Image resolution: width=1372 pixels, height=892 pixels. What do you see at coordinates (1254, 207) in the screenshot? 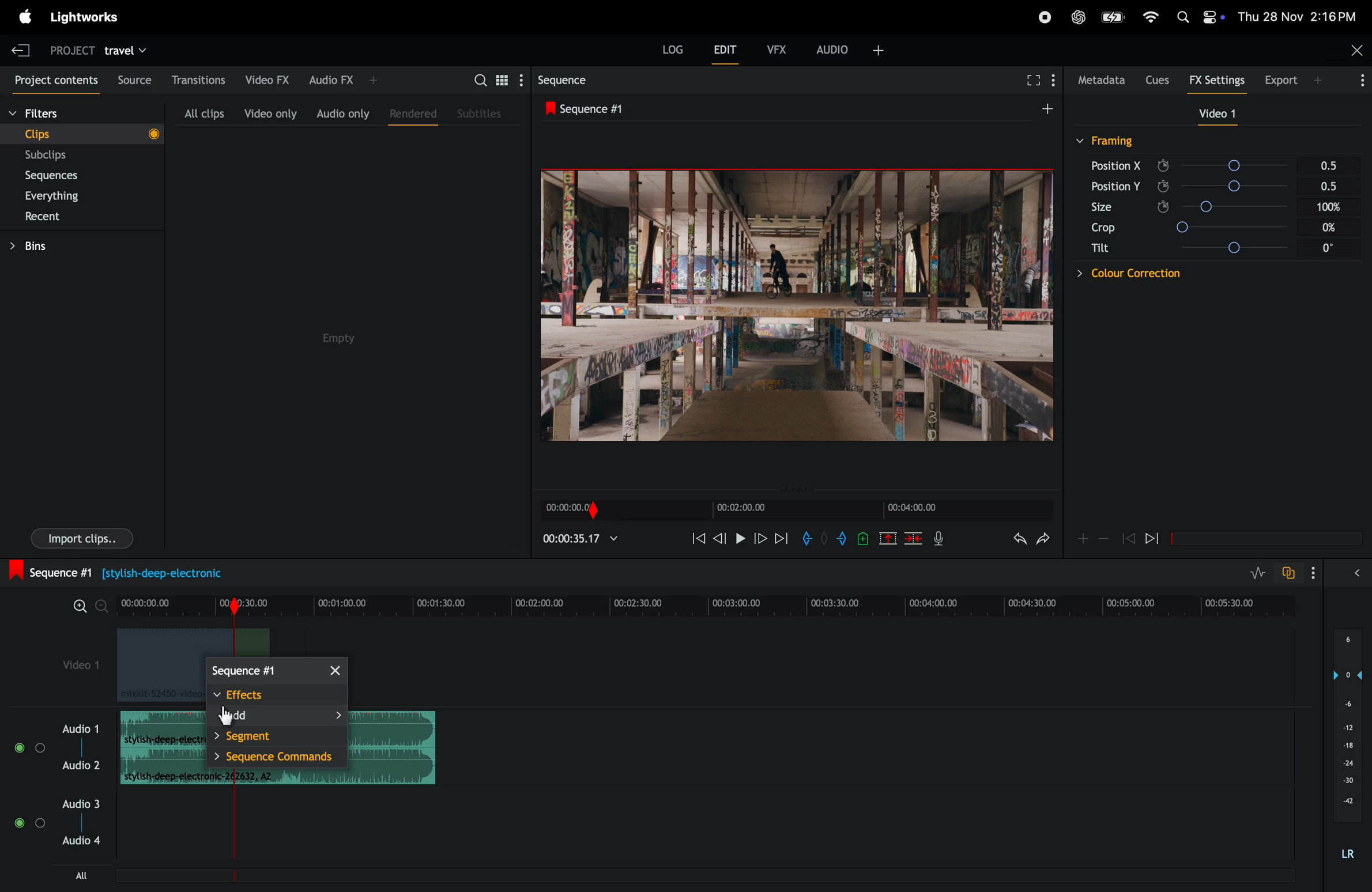
I see `angle` at bounding box center [1254, 207].